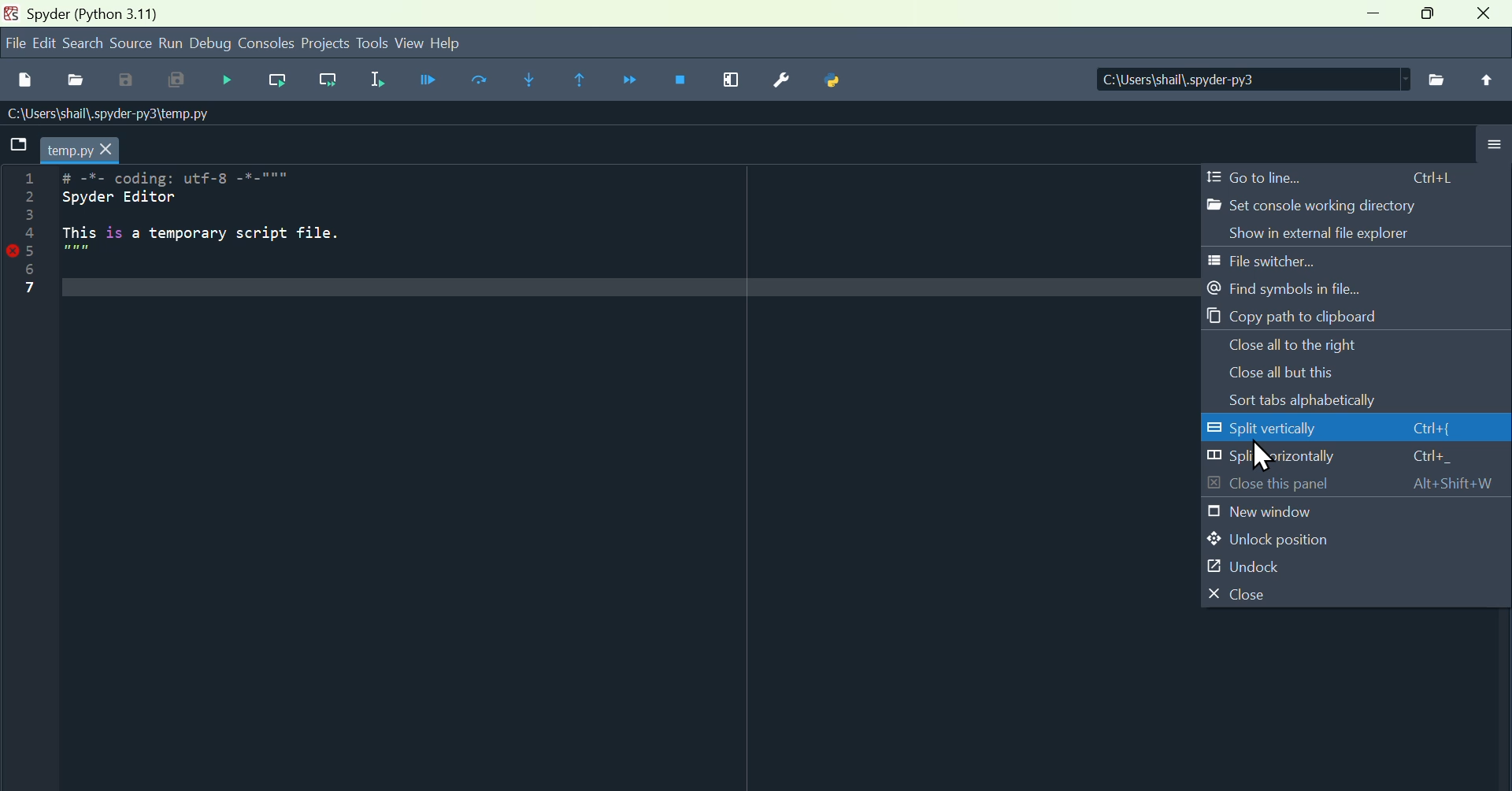  Describe the element at coordinates (1427, 19) in the screenshot. I see `Maximise` at that location.